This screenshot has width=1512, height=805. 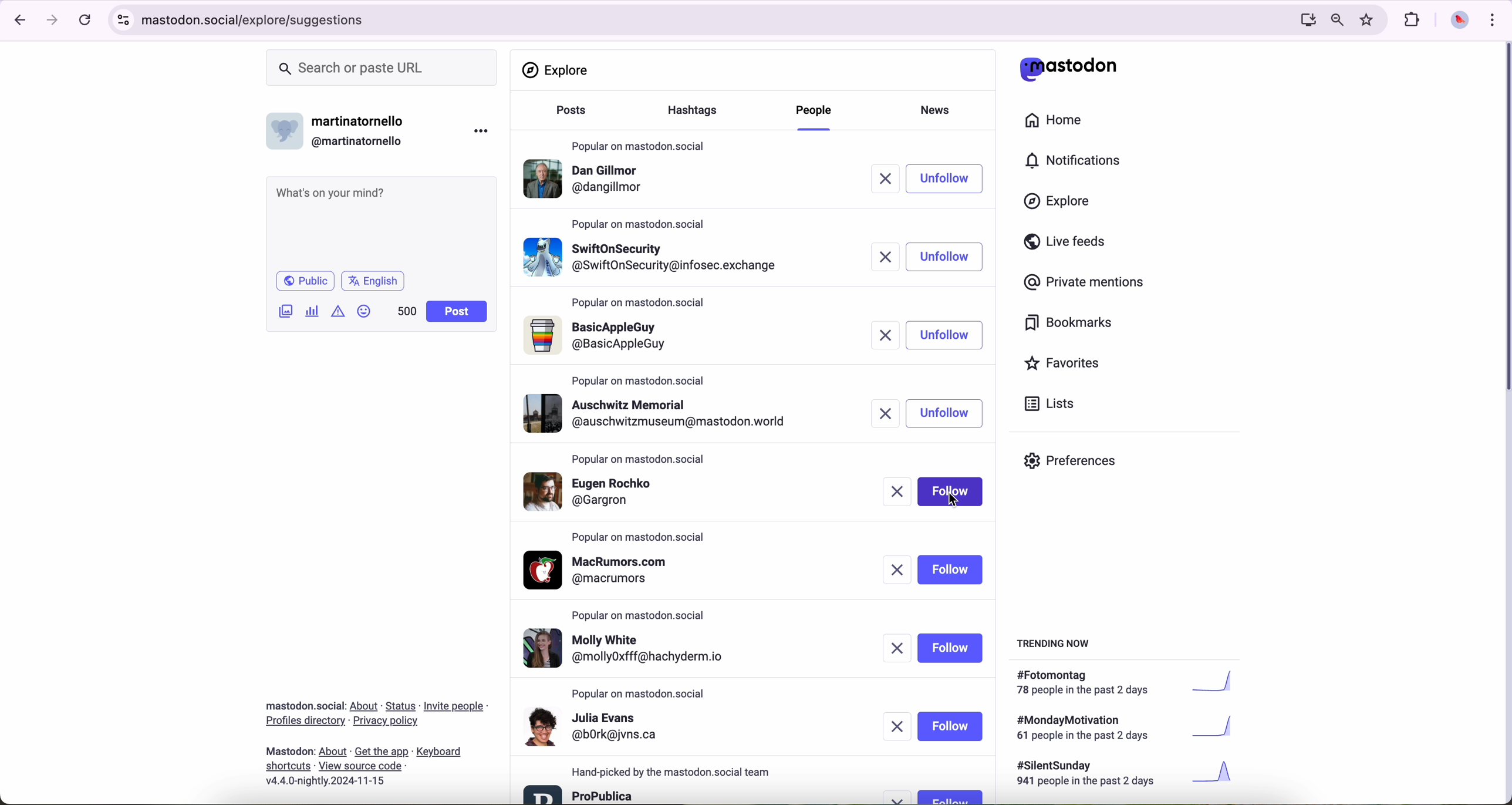 I want to click on popular on mastodon.social, so click(x=640, y=694).